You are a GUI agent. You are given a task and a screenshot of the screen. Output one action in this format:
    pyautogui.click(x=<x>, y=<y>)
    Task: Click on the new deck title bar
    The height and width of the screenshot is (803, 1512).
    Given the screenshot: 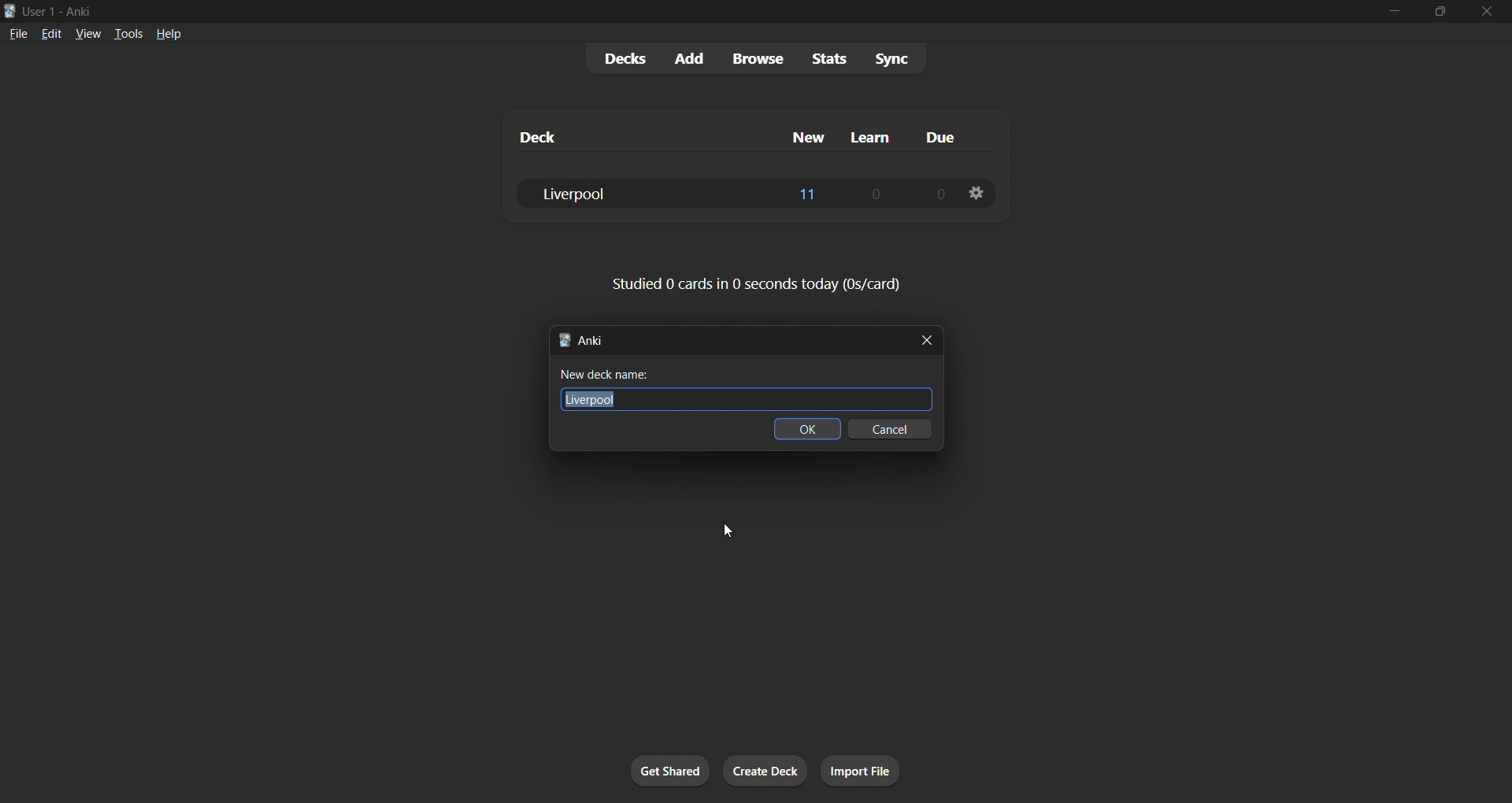 What is the action you would take?
    pyautogui.click(x=720, y=339)
    